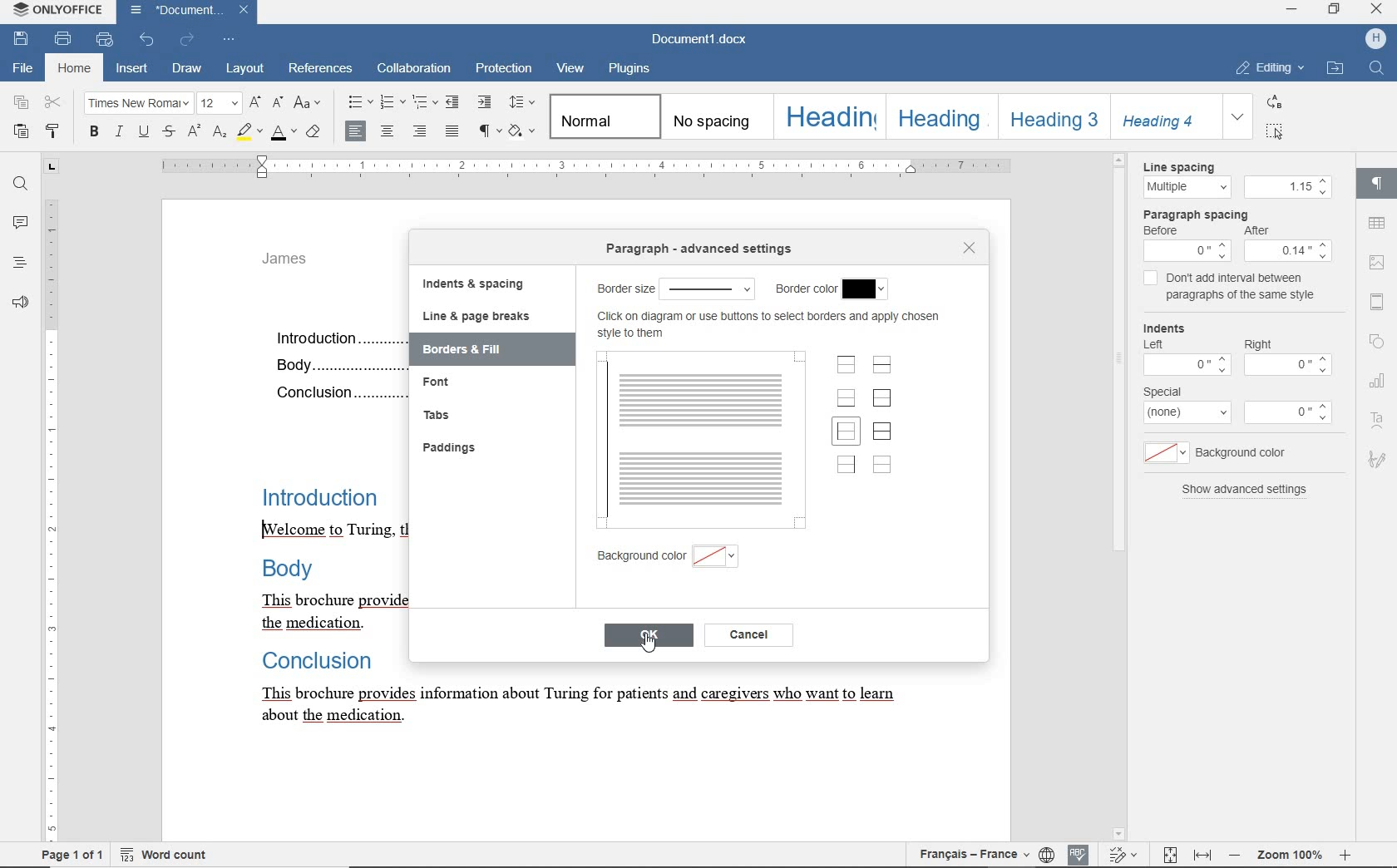 Image resolution: width=1397 pixels, height=868 pixels. What do you see at coordinates (1187, 251) in the screenshot?
I see `menu` at bounding box center [1187, 251].